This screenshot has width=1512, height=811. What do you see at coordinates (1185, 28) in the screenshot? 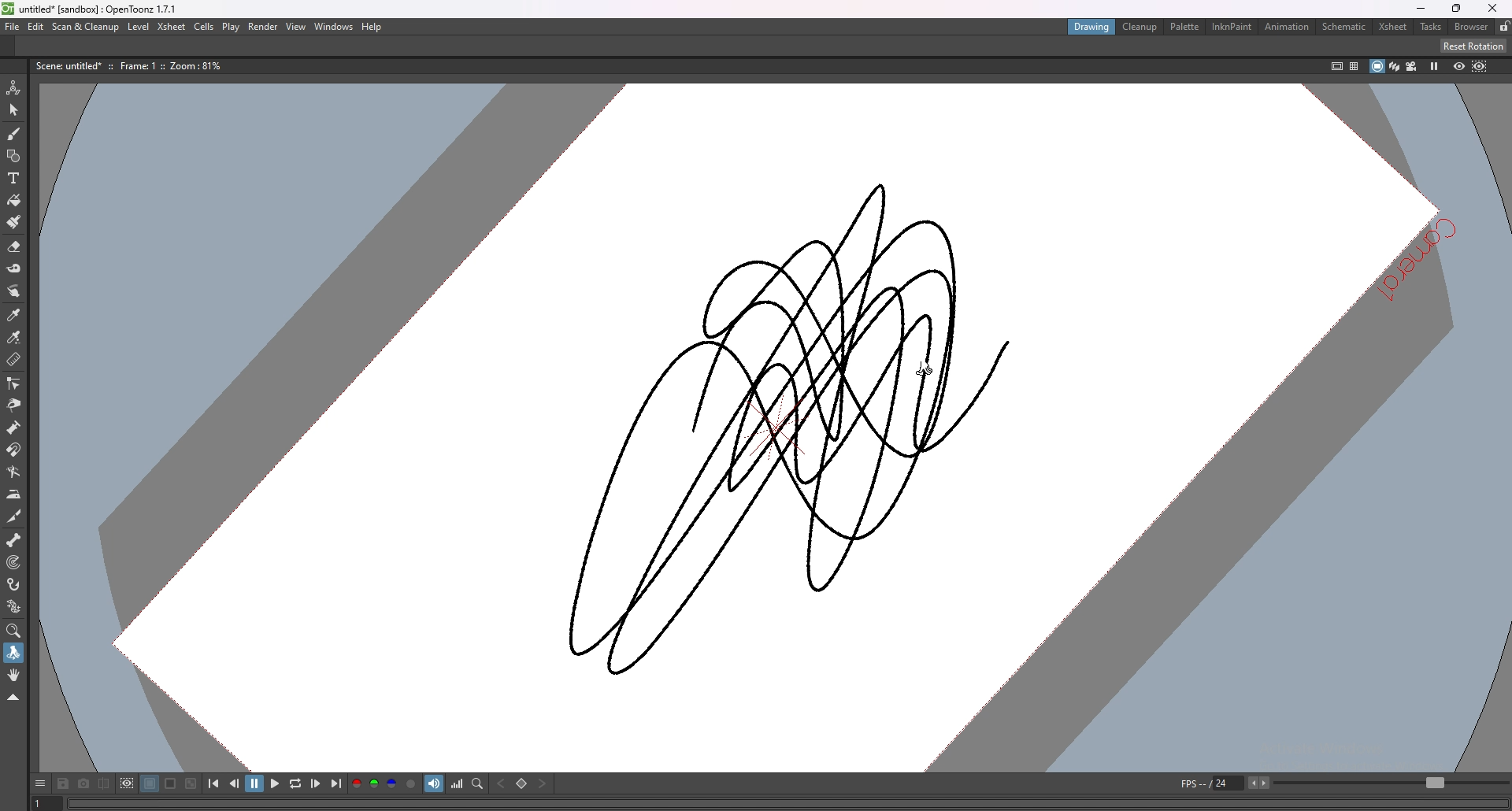
I see `palette` at bounding box center [1185, 28].